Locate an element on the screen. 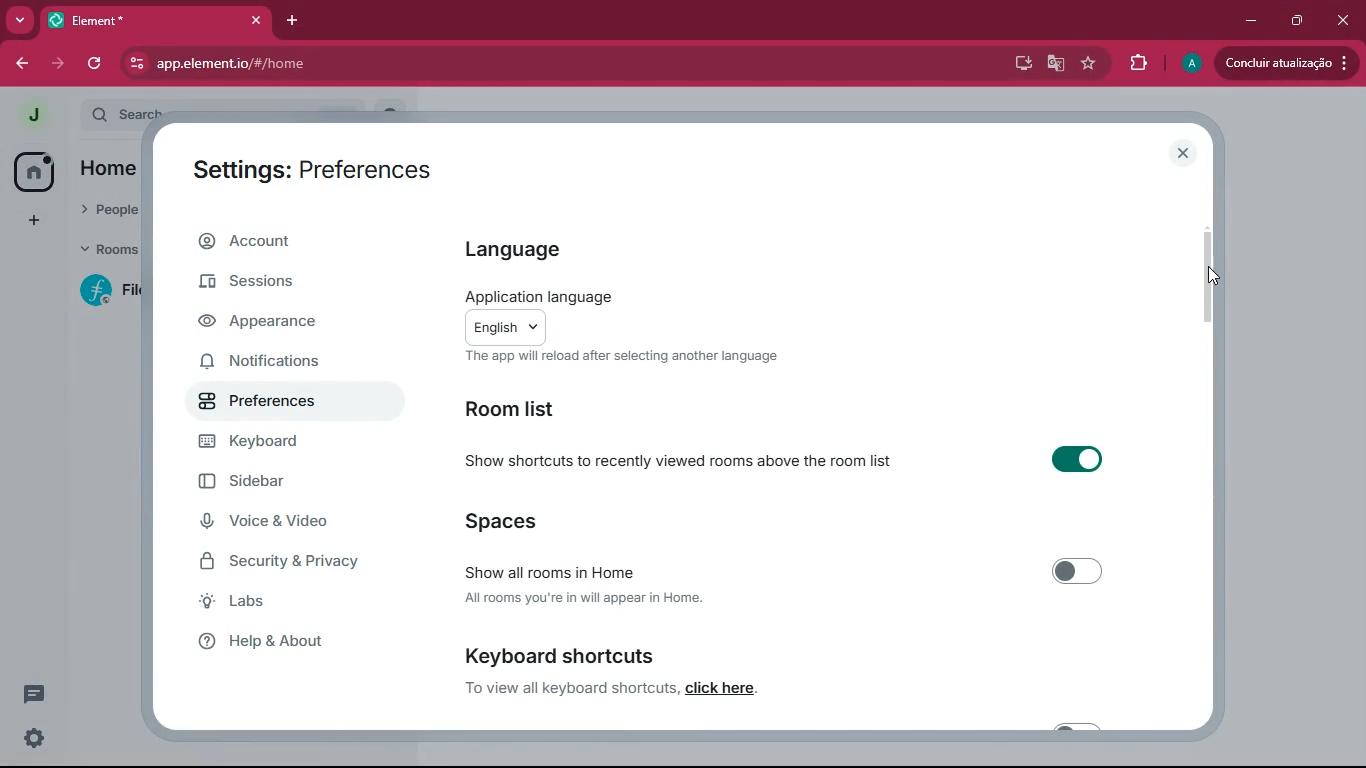  cursor is located at coordinates (1209, 277).